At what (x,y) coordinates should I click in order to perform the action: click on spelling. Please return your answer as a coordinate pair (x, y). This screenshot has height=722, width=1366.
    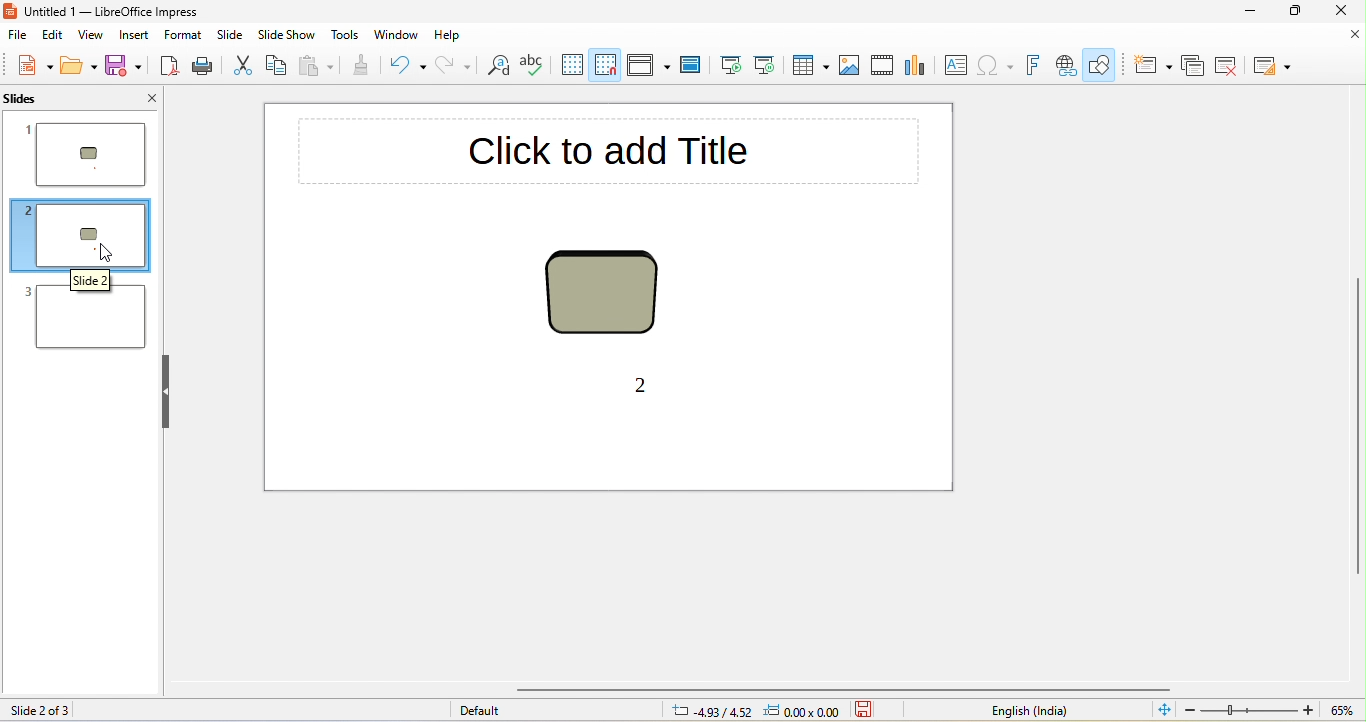
    Looking at the image, I should click on (532, 68).